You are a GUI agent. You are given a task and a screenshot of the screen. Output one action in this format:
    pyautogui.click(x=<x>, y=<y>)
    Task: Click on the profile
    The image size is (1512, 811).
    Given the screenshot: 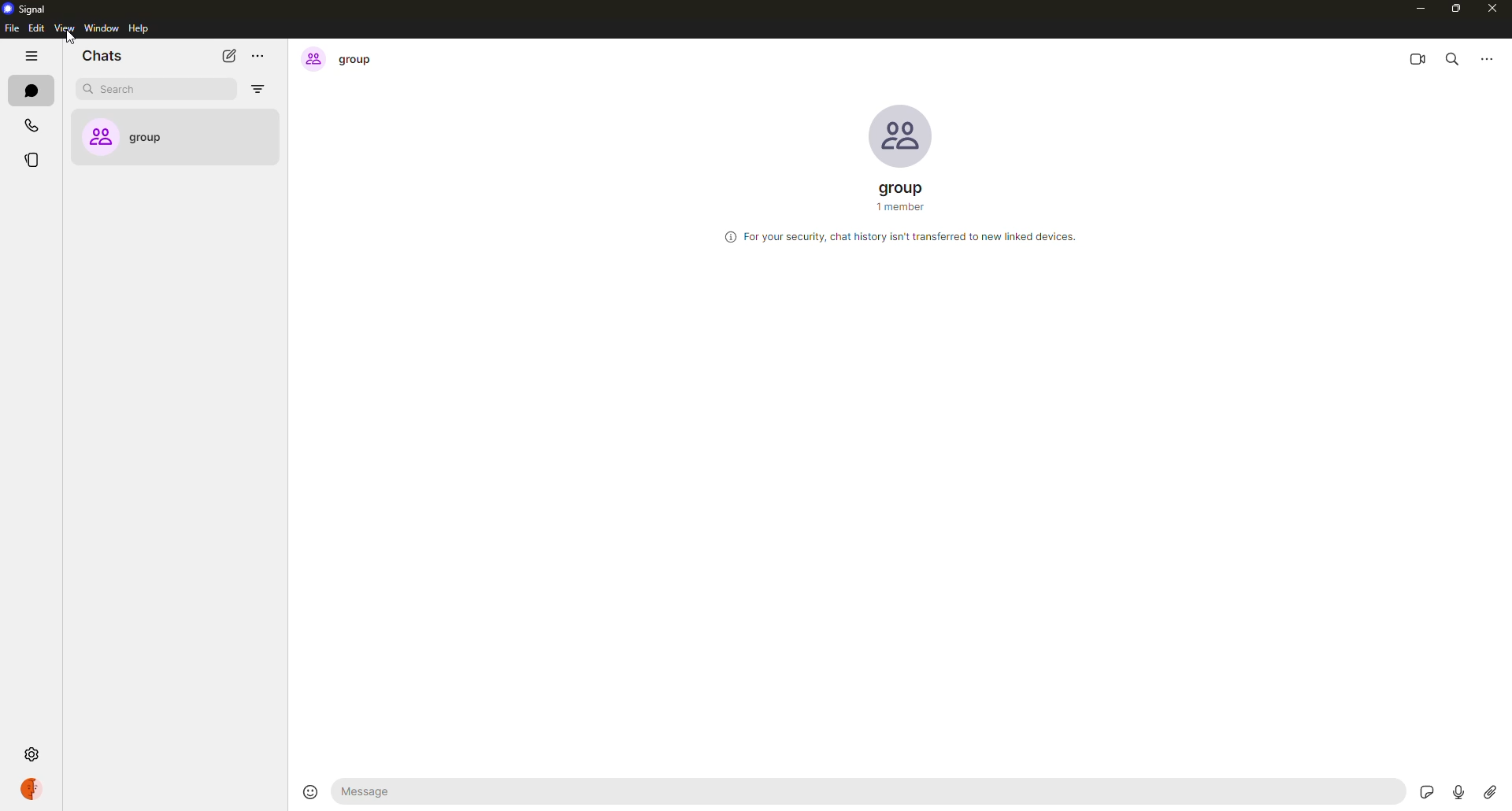 What is the action you would take?
    pyautogui.click(x=39, y=791)
    